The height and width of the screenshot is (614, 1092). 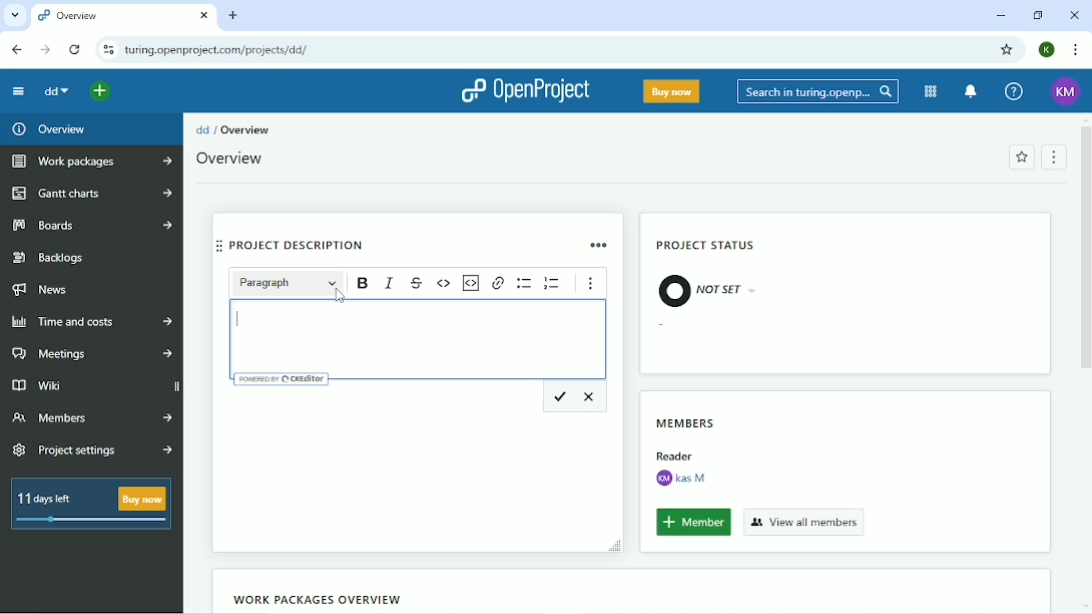 What do you see at coordinates (44, 291) in the screenshot?
I see `News` at bounding box center [44, 291].